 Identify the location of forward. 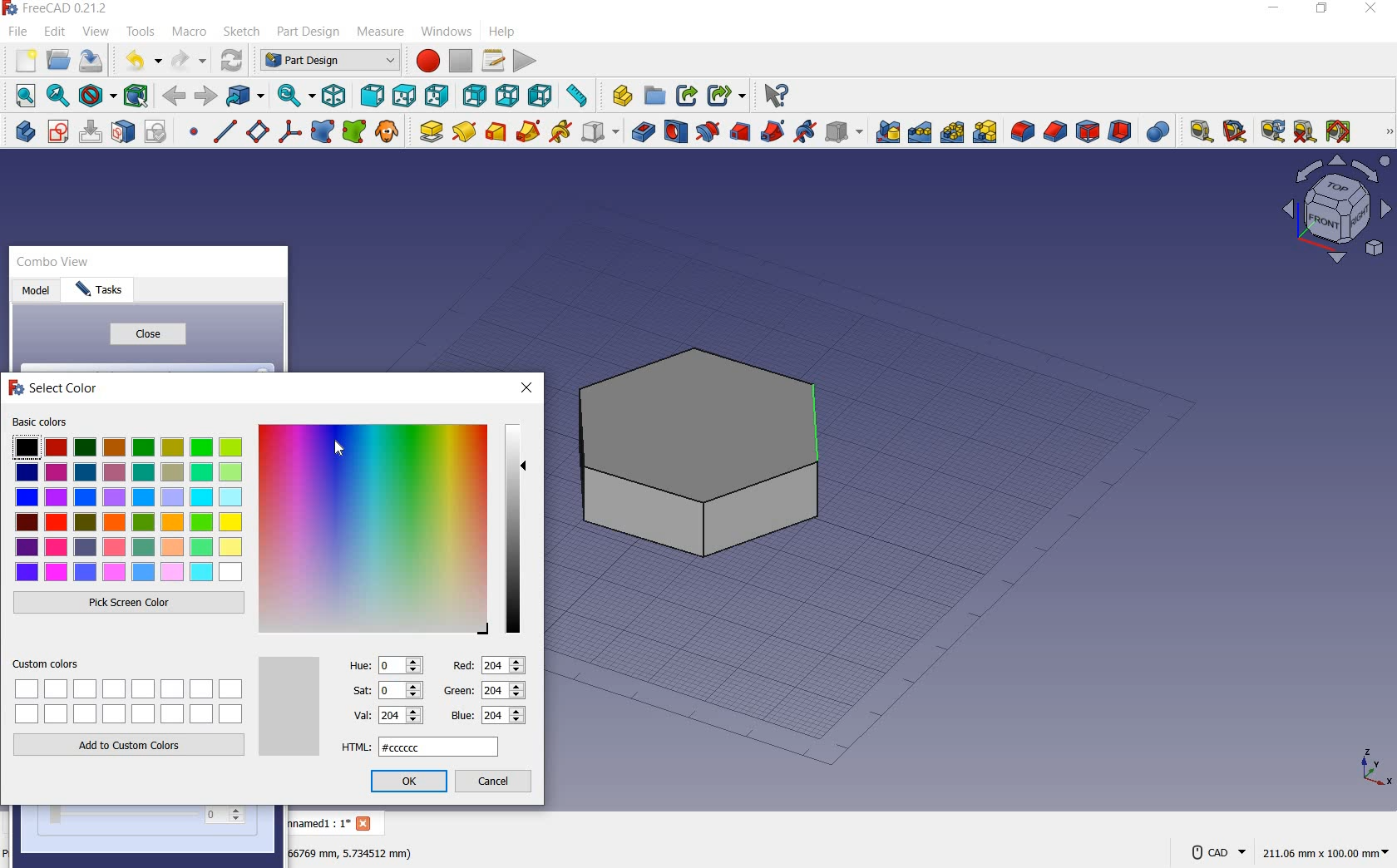
(206, 96).